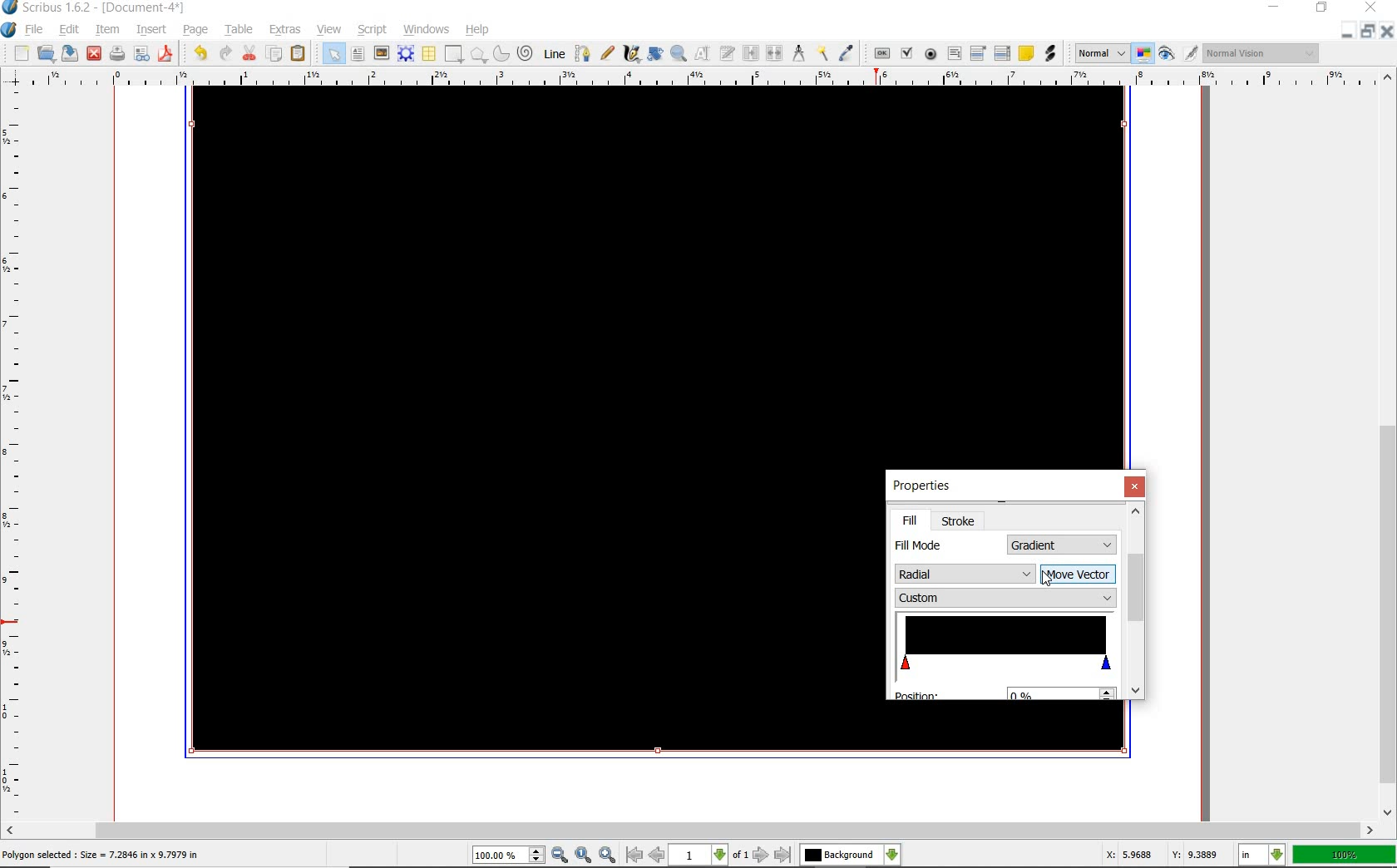 Image resolution: width=1397 pixels, height=868 pixels. I want to click on restore, so click(1368, 32).